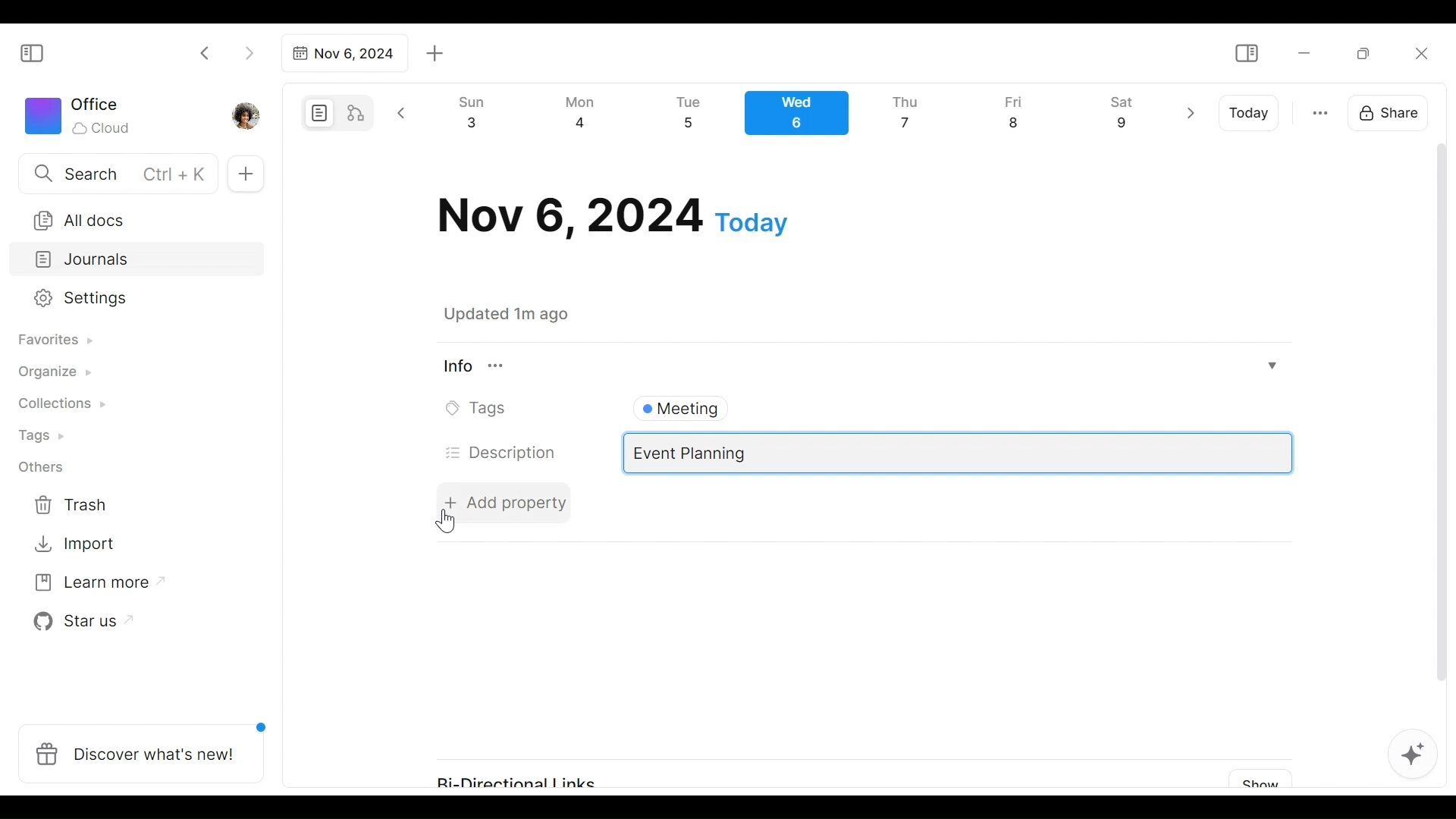 The height and width of the screenshot is (819, 1456). I want to click on Others, so click(42, 467).